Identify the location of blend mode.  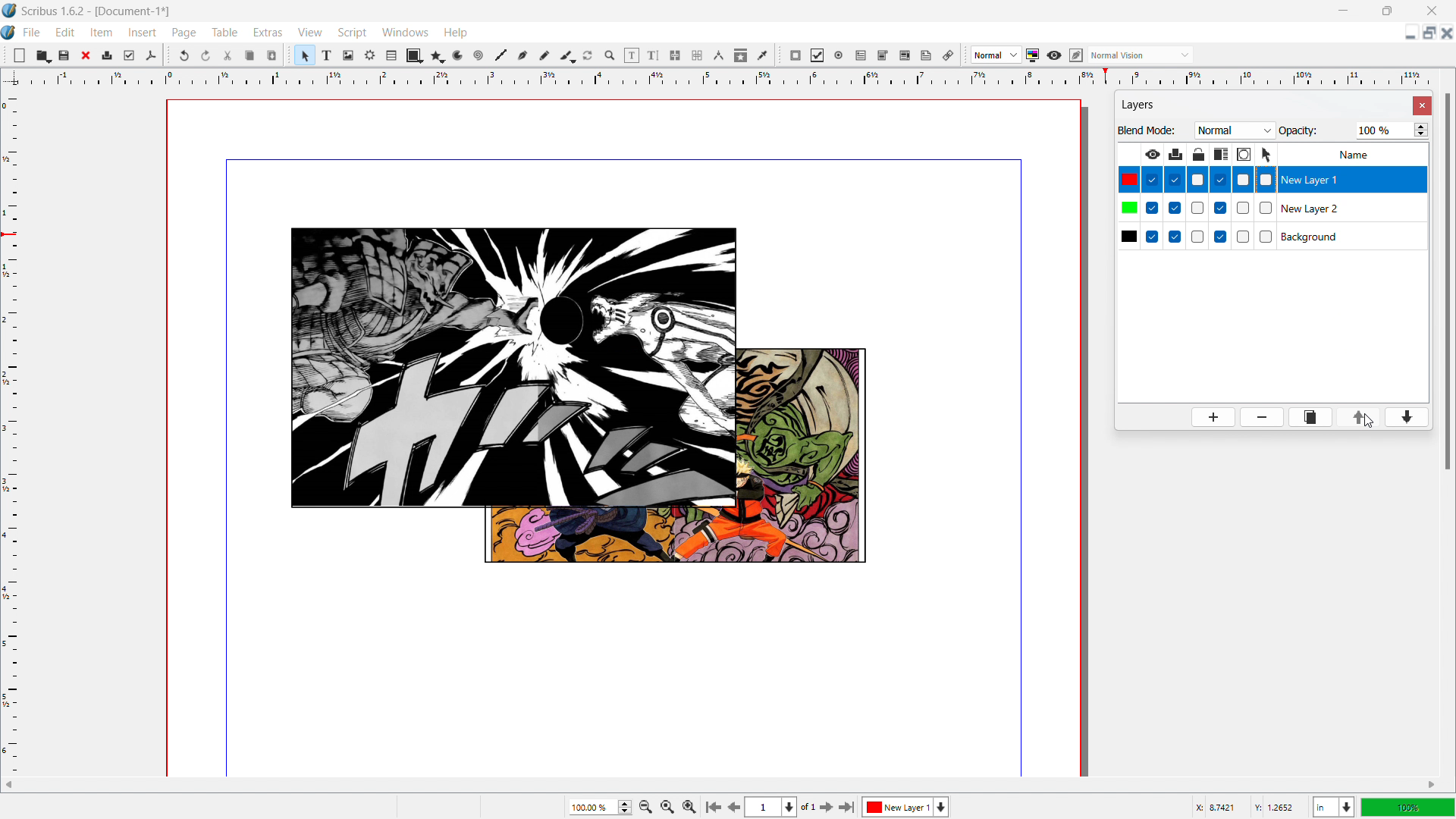
(1235, 130).